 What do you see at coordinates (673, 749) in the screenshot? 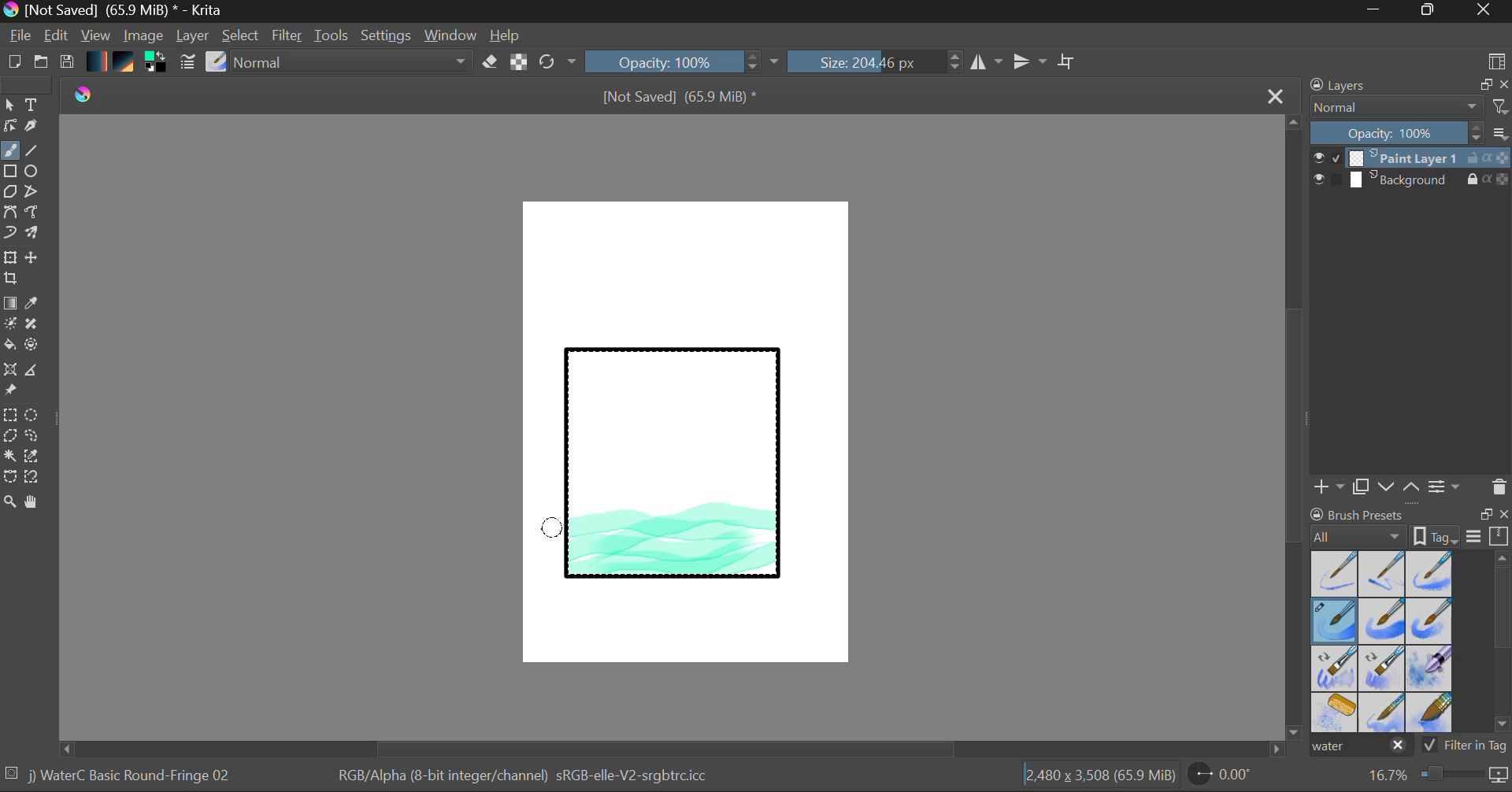
I see `Scroll Bar` at bounding box center [673, 749].